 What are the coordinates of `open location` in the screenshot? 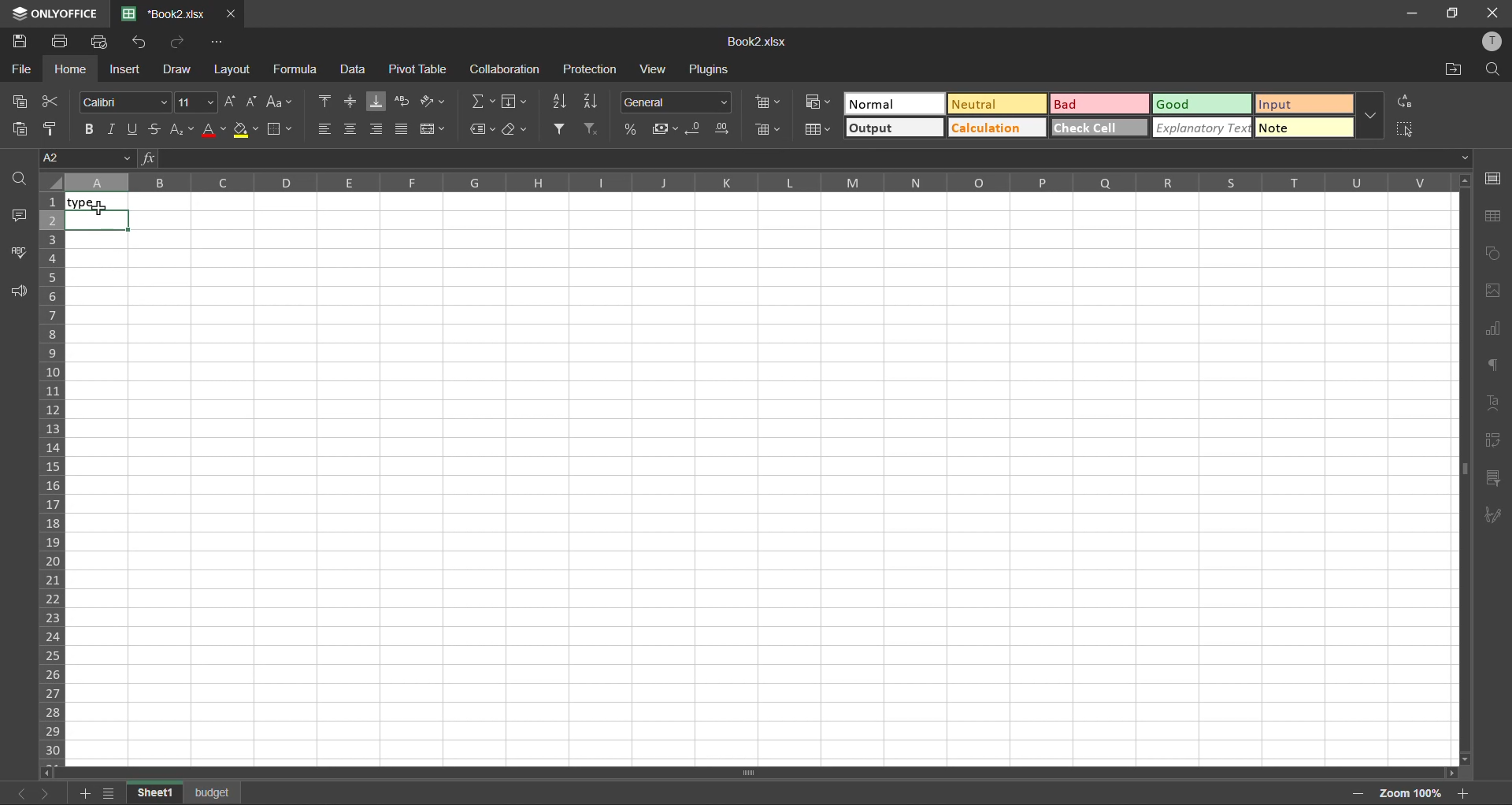 It's located at (1455, 71).